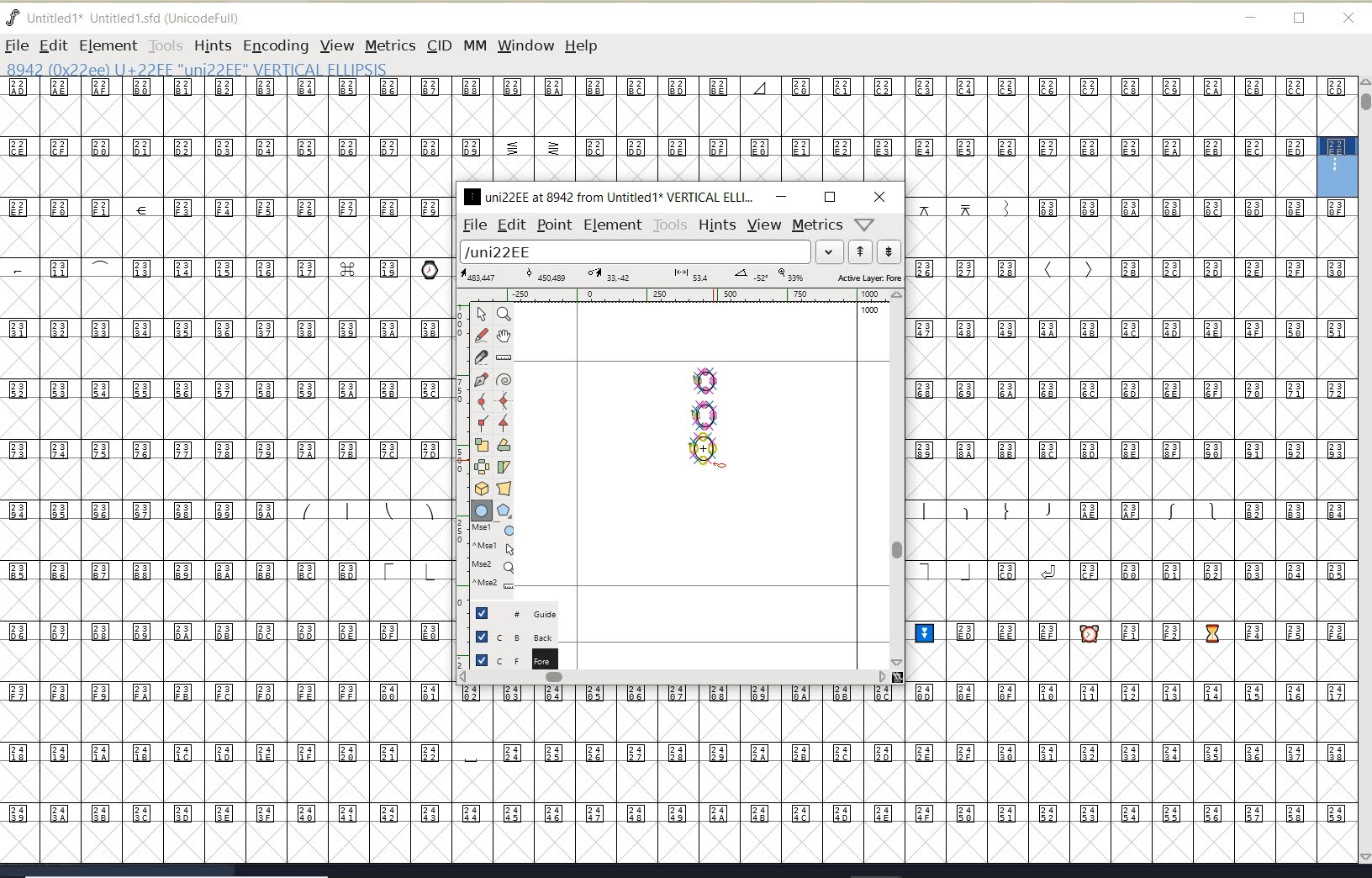 This screenshot has width=1372, height=878. I want to click on active layer, so click(682, 278).